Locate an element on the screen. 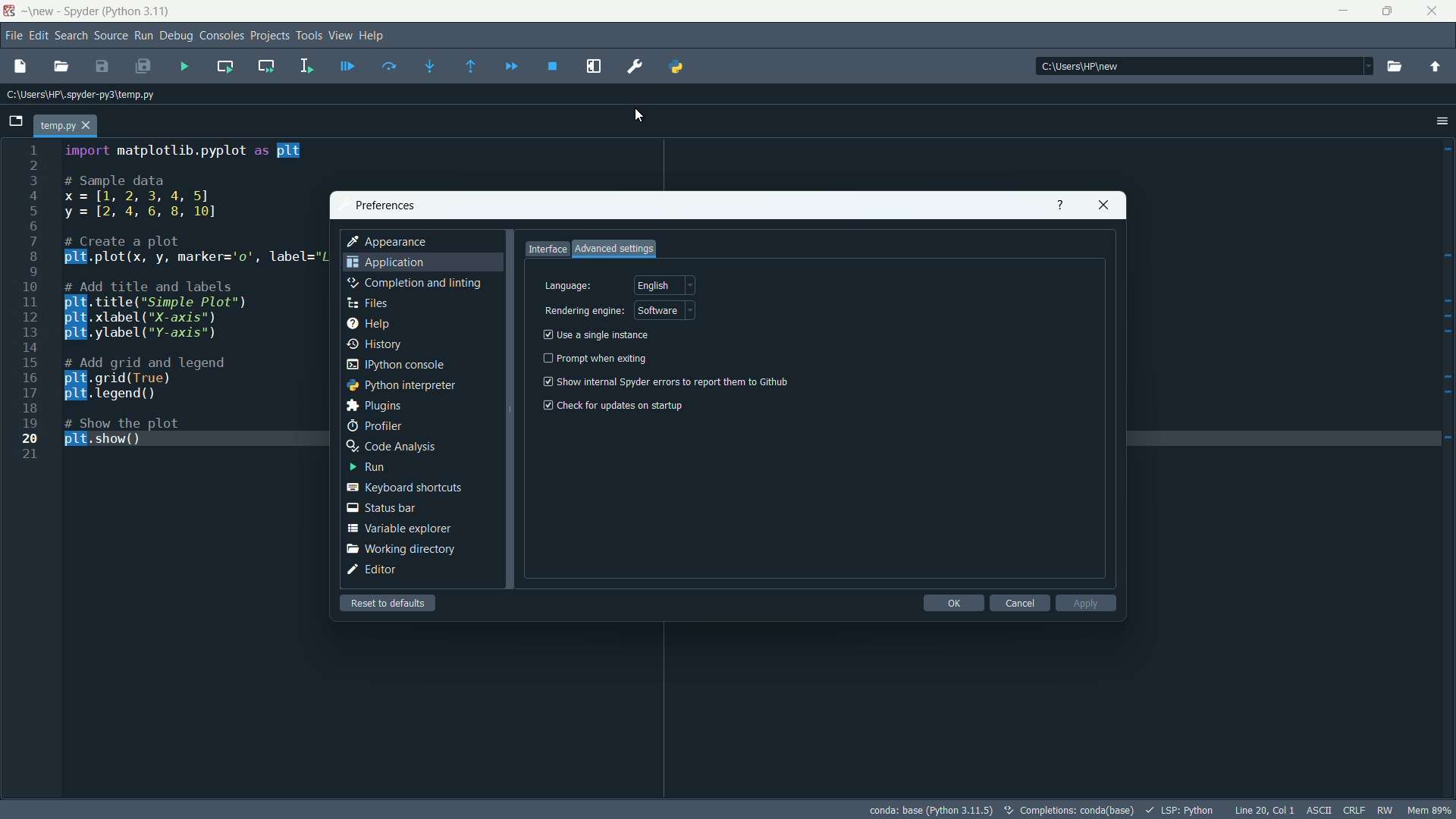  debug file is located at coordinates (349, 67).